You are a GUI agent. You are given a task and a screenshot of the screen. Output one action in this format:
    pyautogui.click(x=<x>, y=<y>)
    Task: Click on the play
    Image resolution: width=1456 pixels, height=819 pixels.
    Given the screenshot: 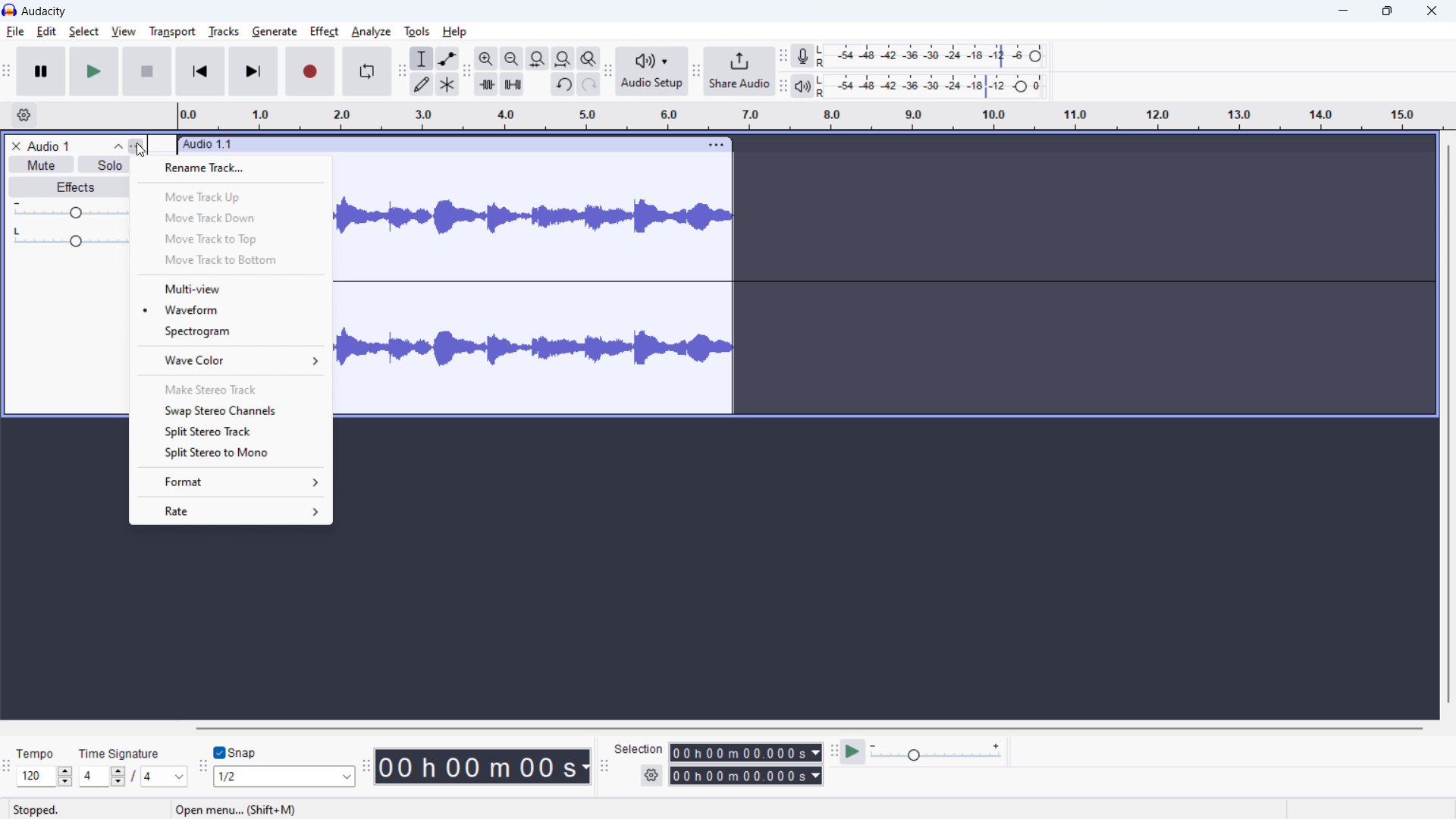 What is the action you would take?
    pyautogui.click(x=95, y=71)
    